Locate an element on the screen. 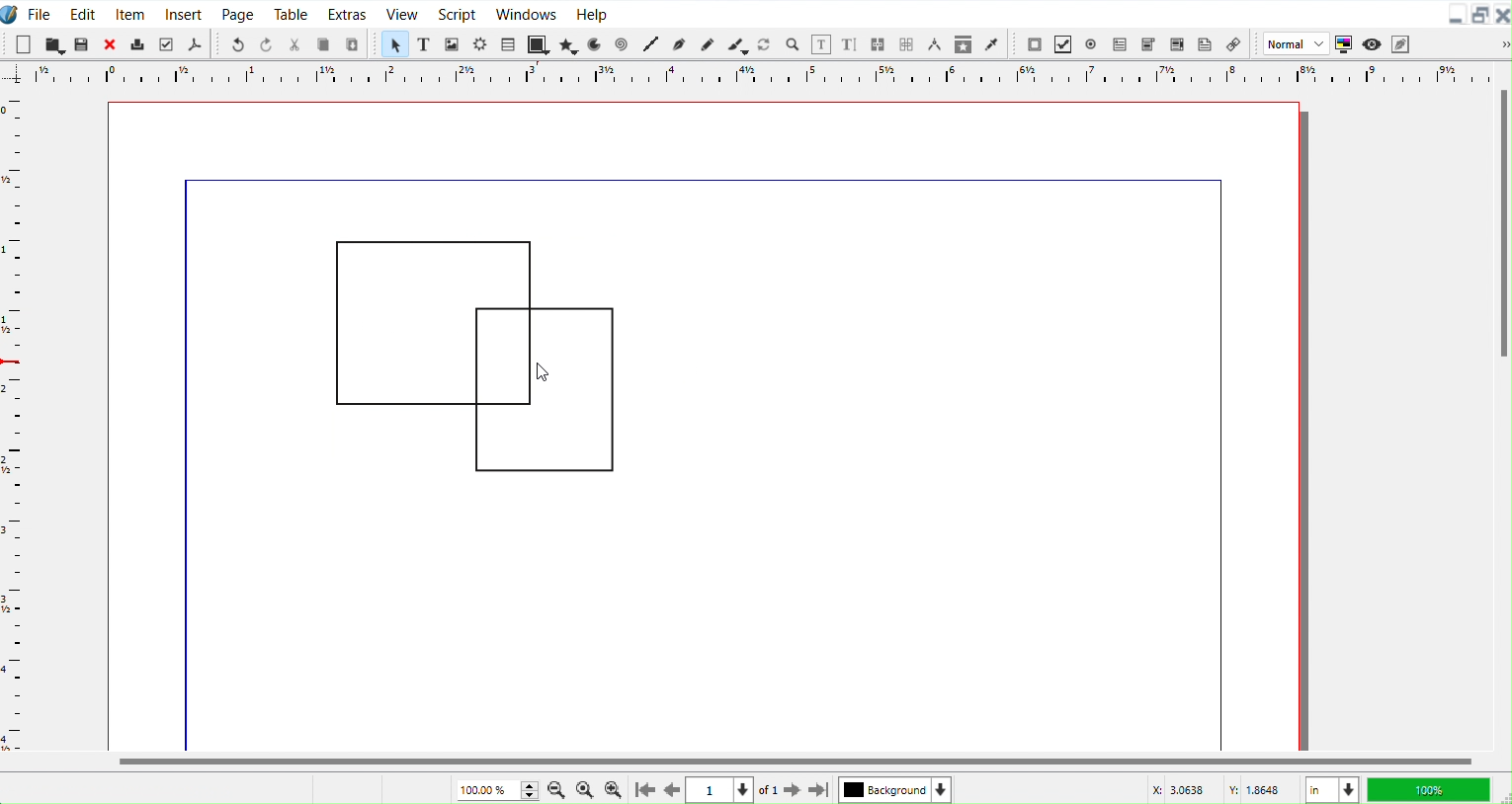 The image size is (1512, 804). Print is located at coordinates (136, 44).